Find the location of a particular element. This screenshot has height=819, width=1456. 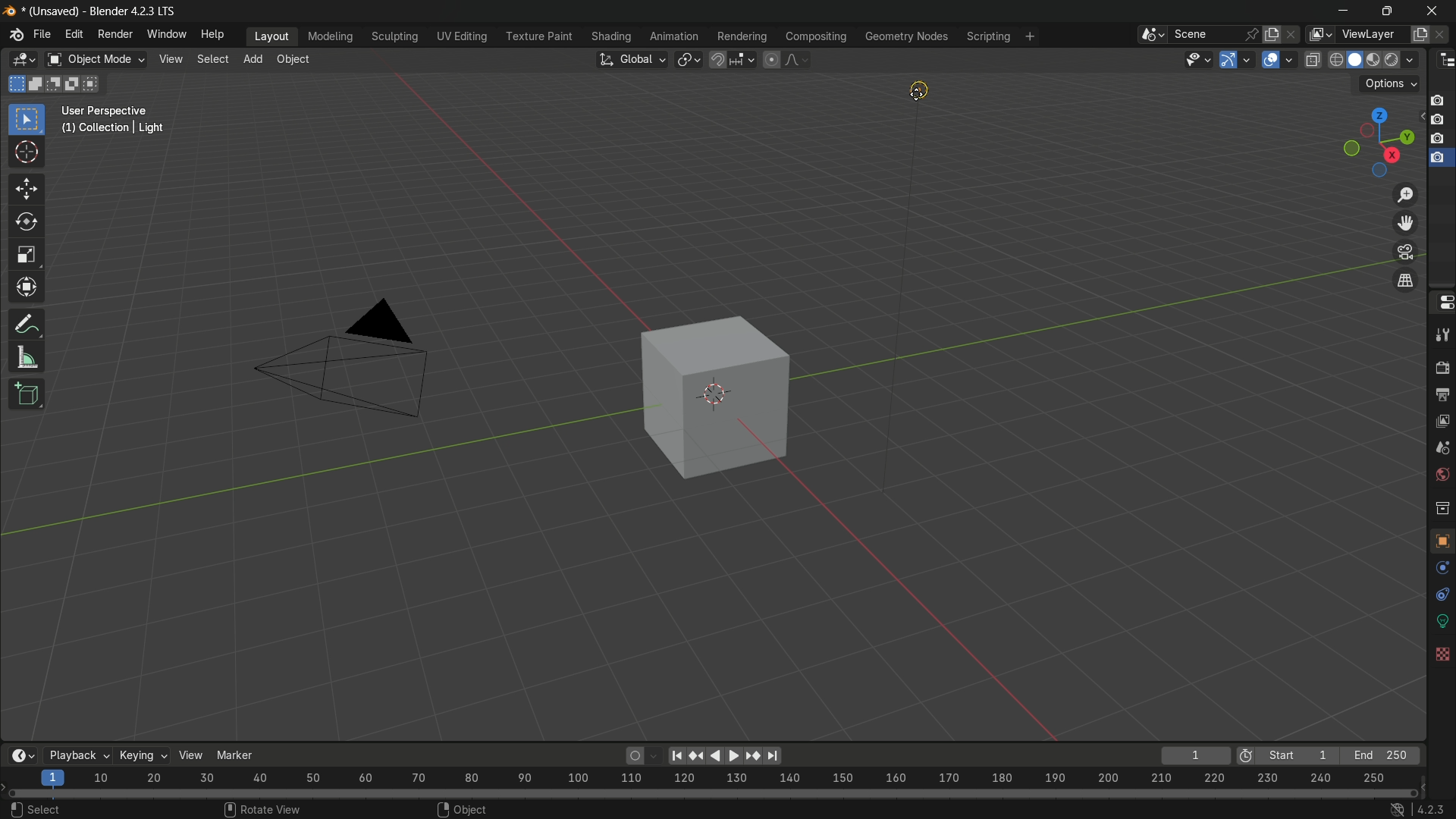

rotate view is located at coordinates (266, 808).